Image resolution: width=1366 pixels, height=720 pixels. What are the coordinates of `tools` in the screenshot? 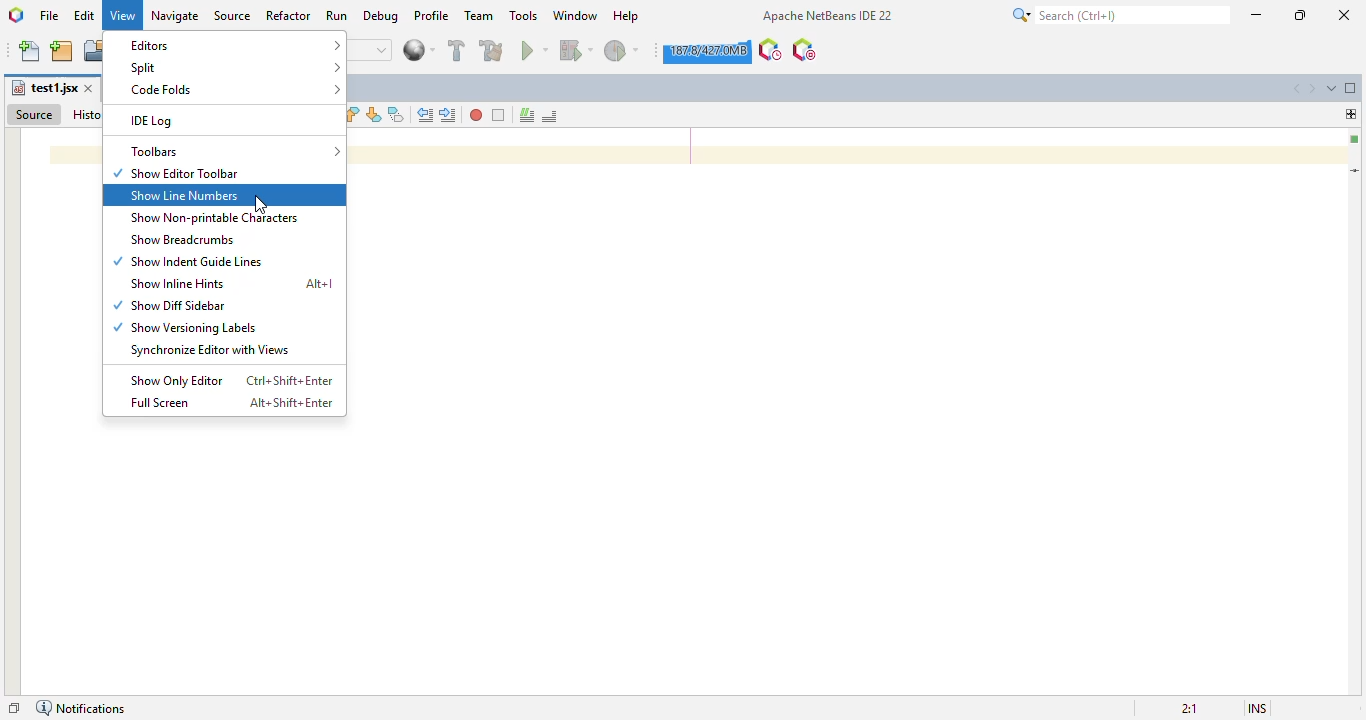 It's located at (524, 14).